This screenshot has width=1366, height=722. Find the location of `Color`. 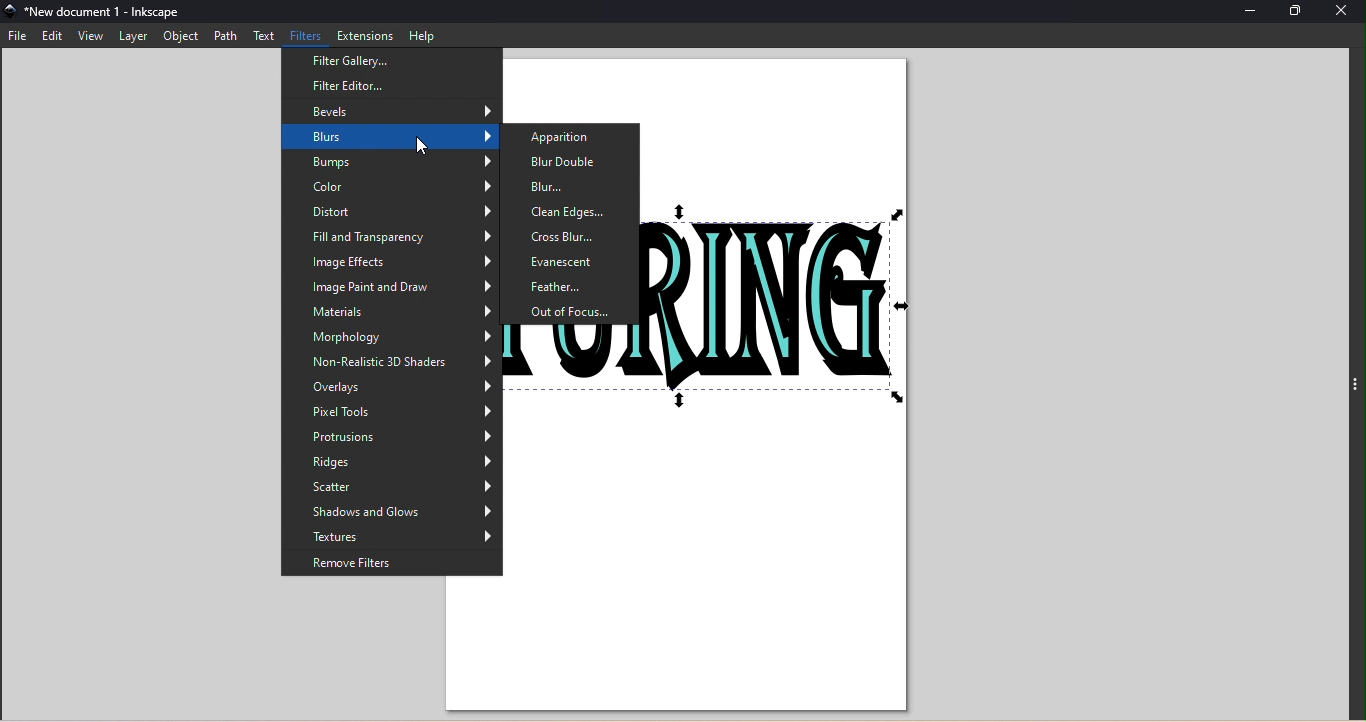

Color is located at coordinates (392, 187).